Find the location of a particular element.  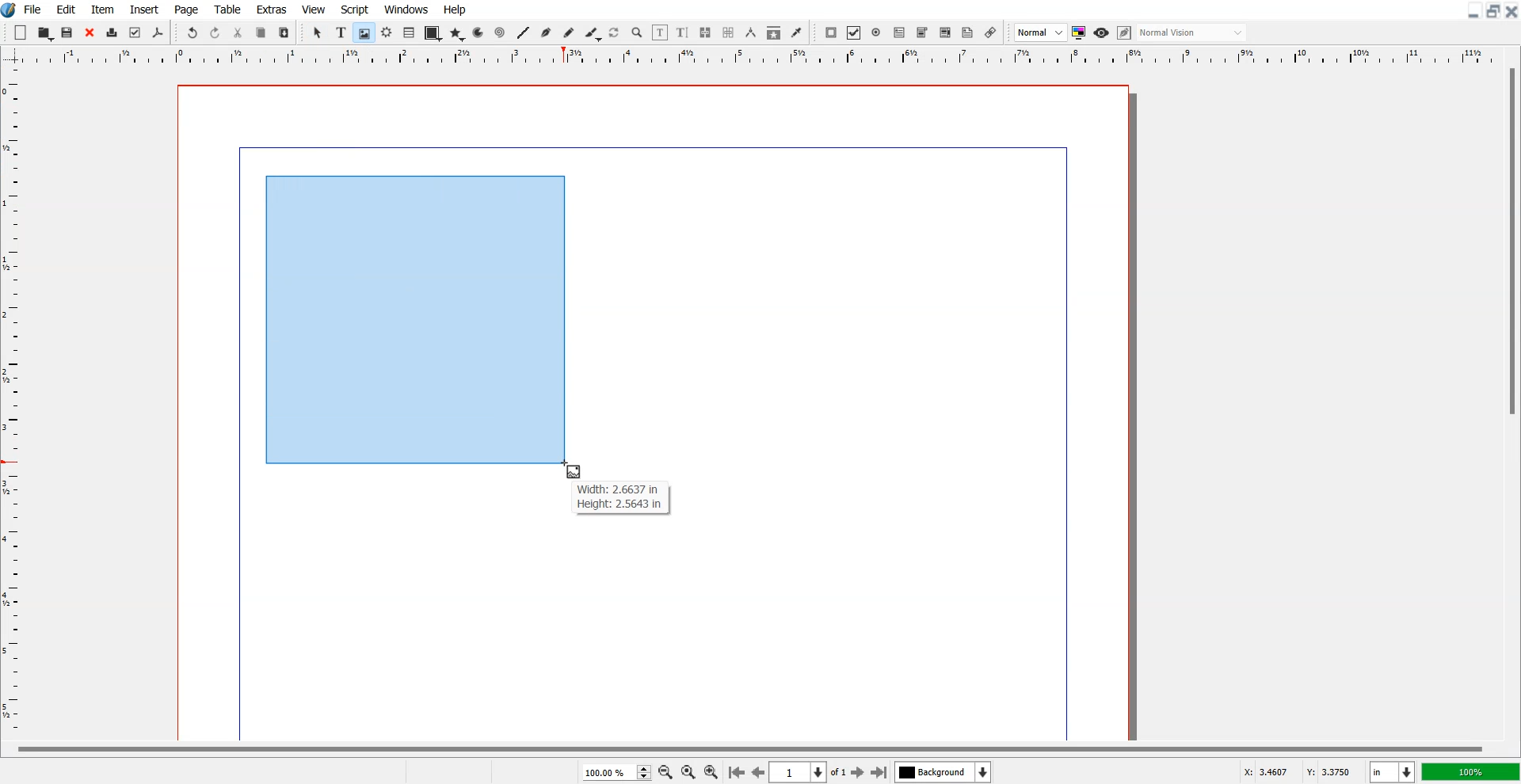

Page is located at coordinates (188, 9).